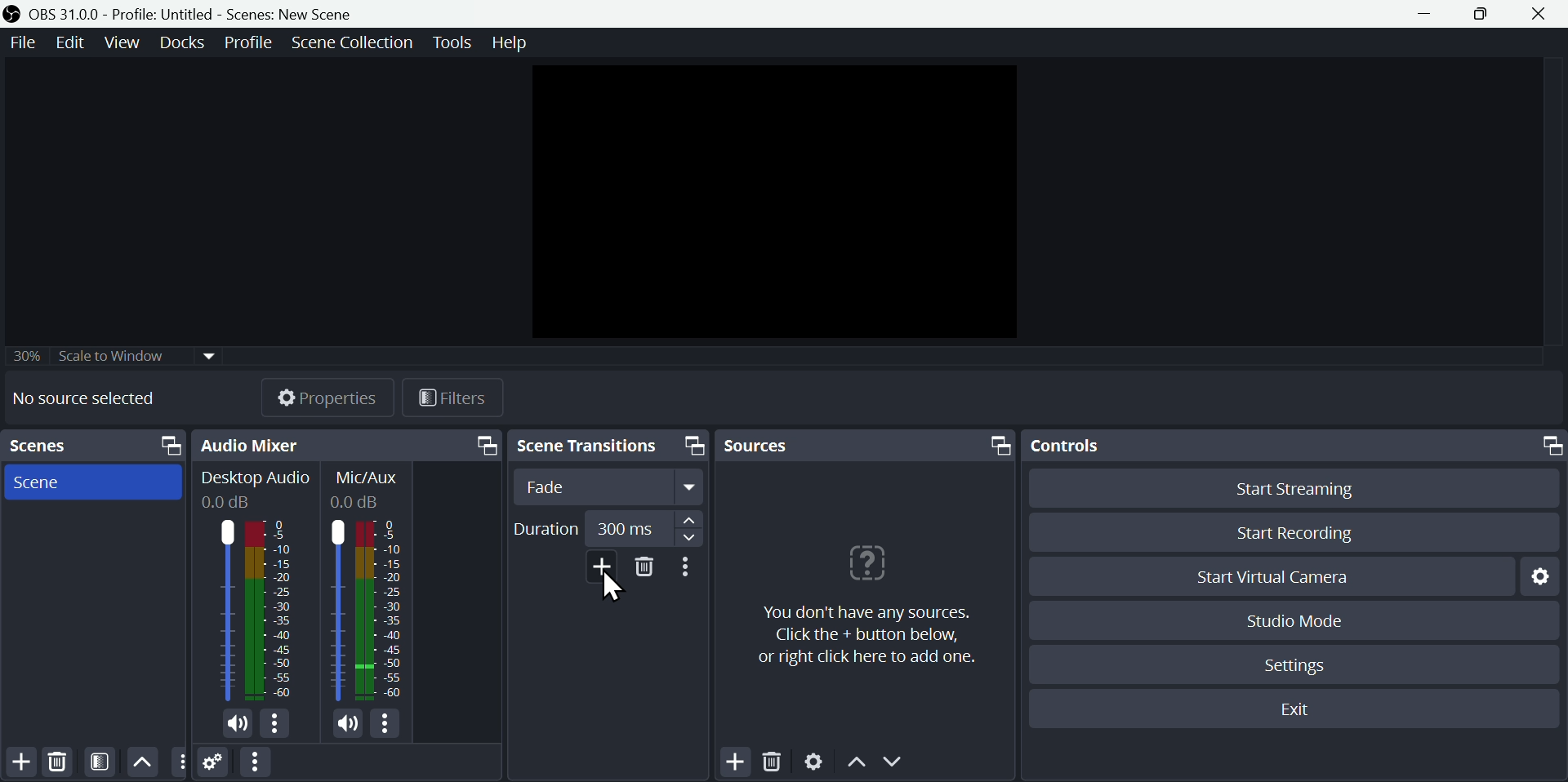 The height and width of the screenshot is (782, 1568). I want to click on , so click(73, 42).